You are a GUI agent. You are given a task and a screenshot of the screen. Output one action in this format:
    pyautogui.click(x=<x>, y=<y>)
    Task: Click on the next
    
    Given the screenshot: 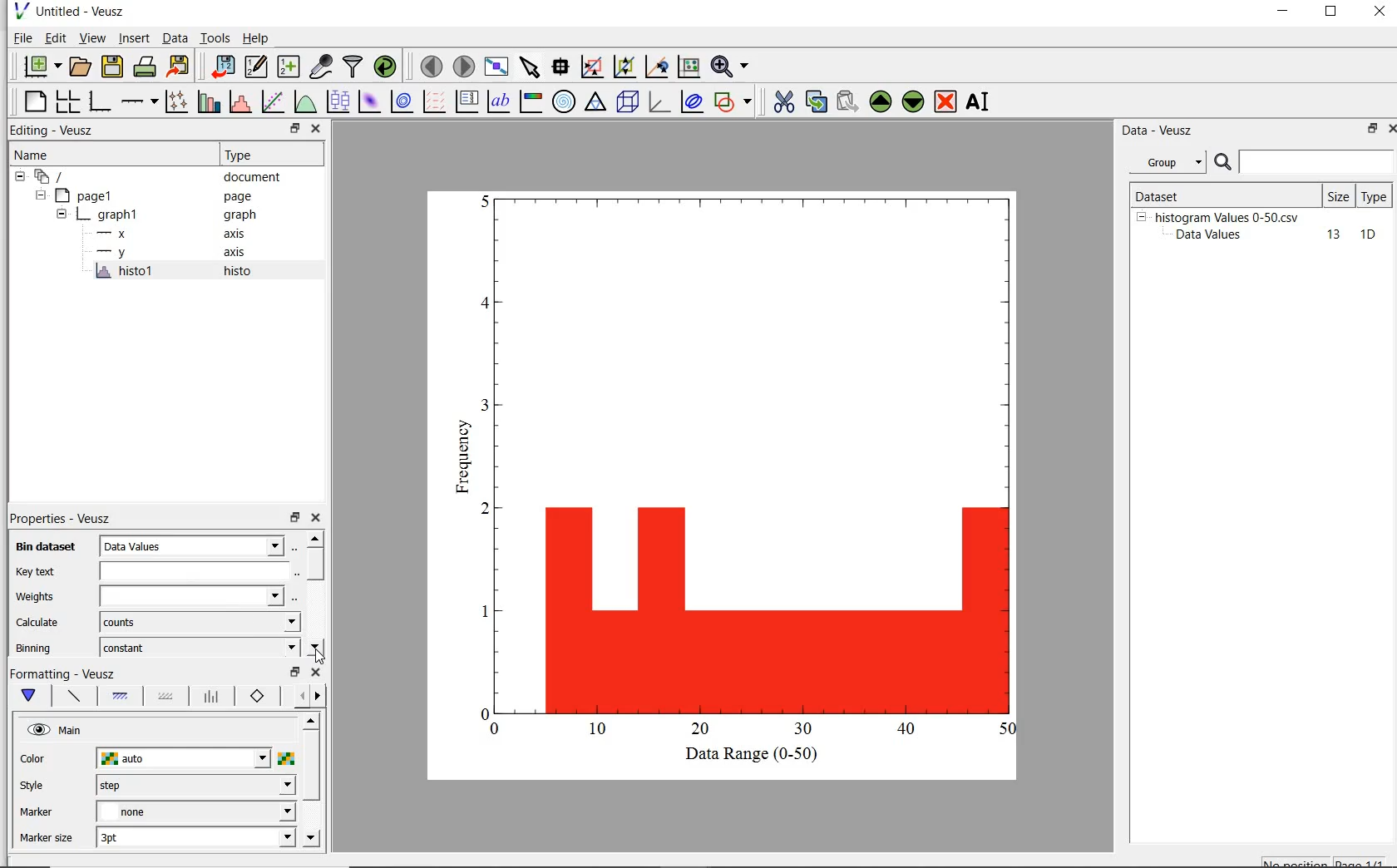 What is the action you would take?
    pyautogui.click(x=318, y=698)
    